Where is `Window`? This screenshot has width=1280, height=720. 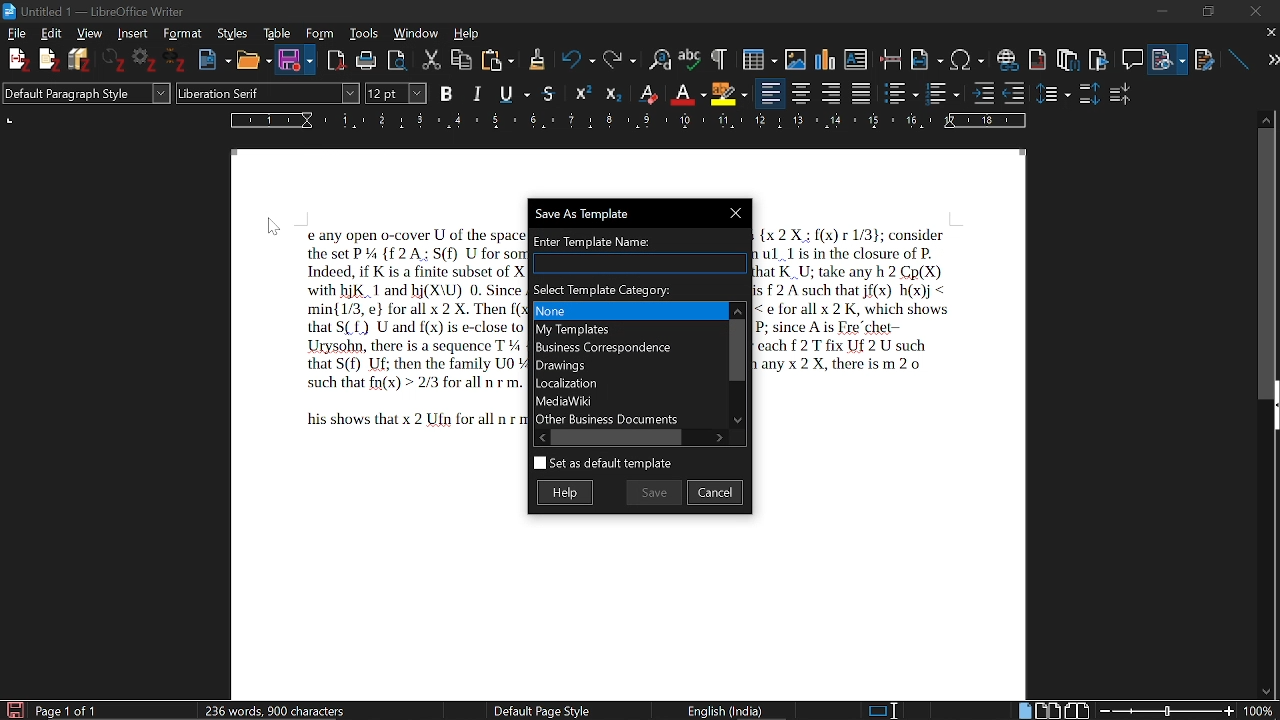
Window is located at coordinates (416, 34).